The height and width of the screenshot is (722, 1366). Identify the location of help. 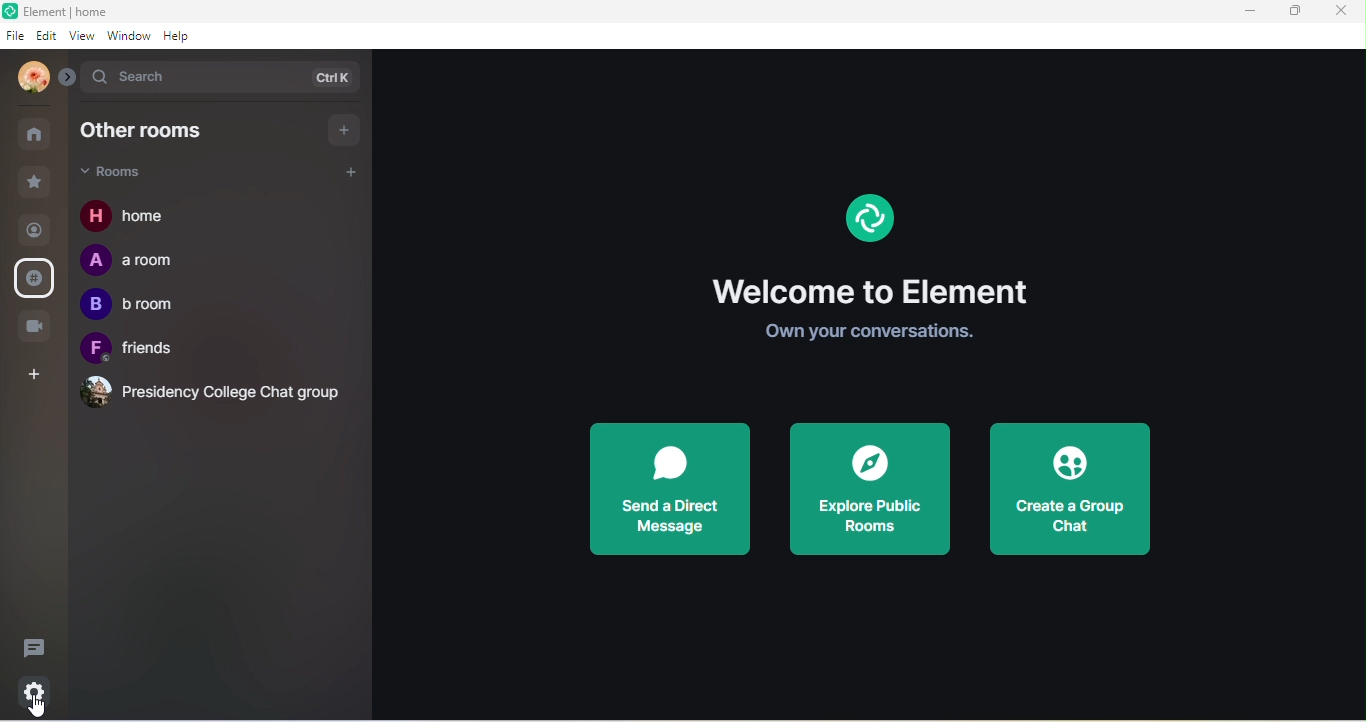
(178, 36).